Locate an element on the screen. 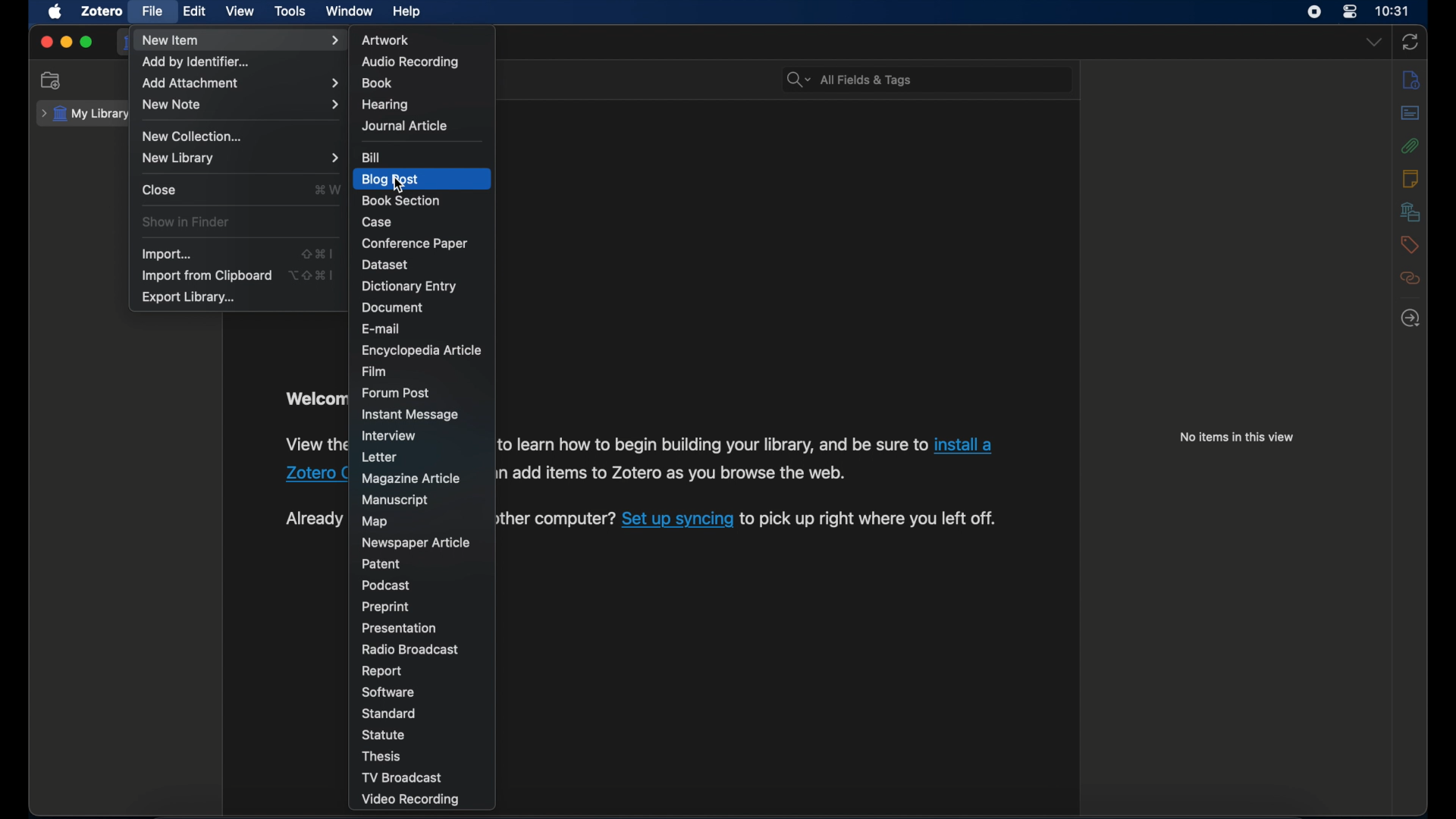 Image resolution: width=1456 pixels, height=819 pixels. locate is located at coordinates (1409, 318).